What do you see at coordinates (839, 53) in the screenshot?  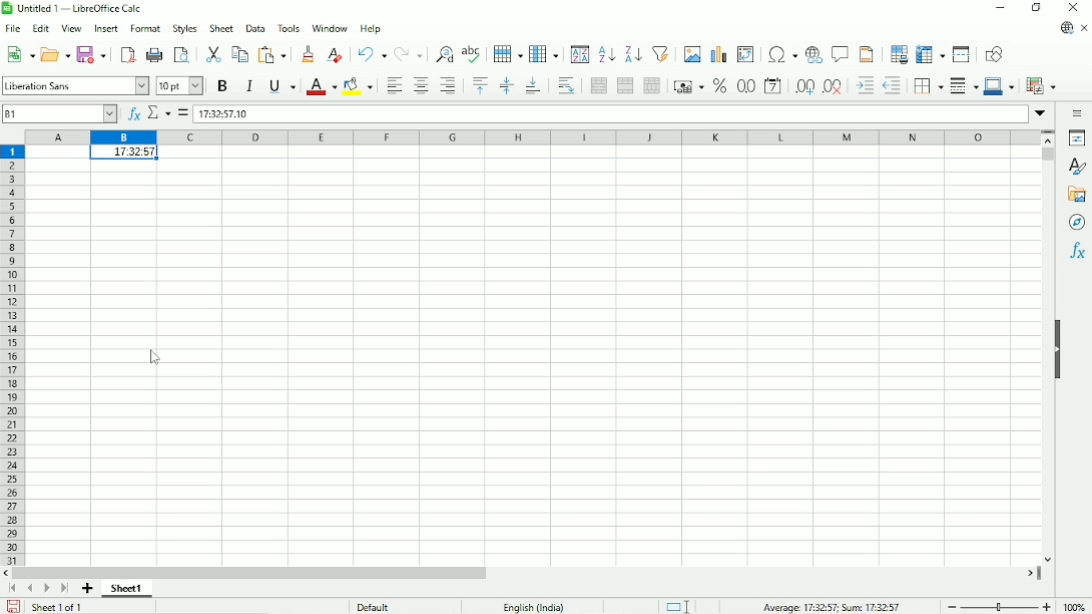 I see `Insert comment` at bounding box center [839, 53].